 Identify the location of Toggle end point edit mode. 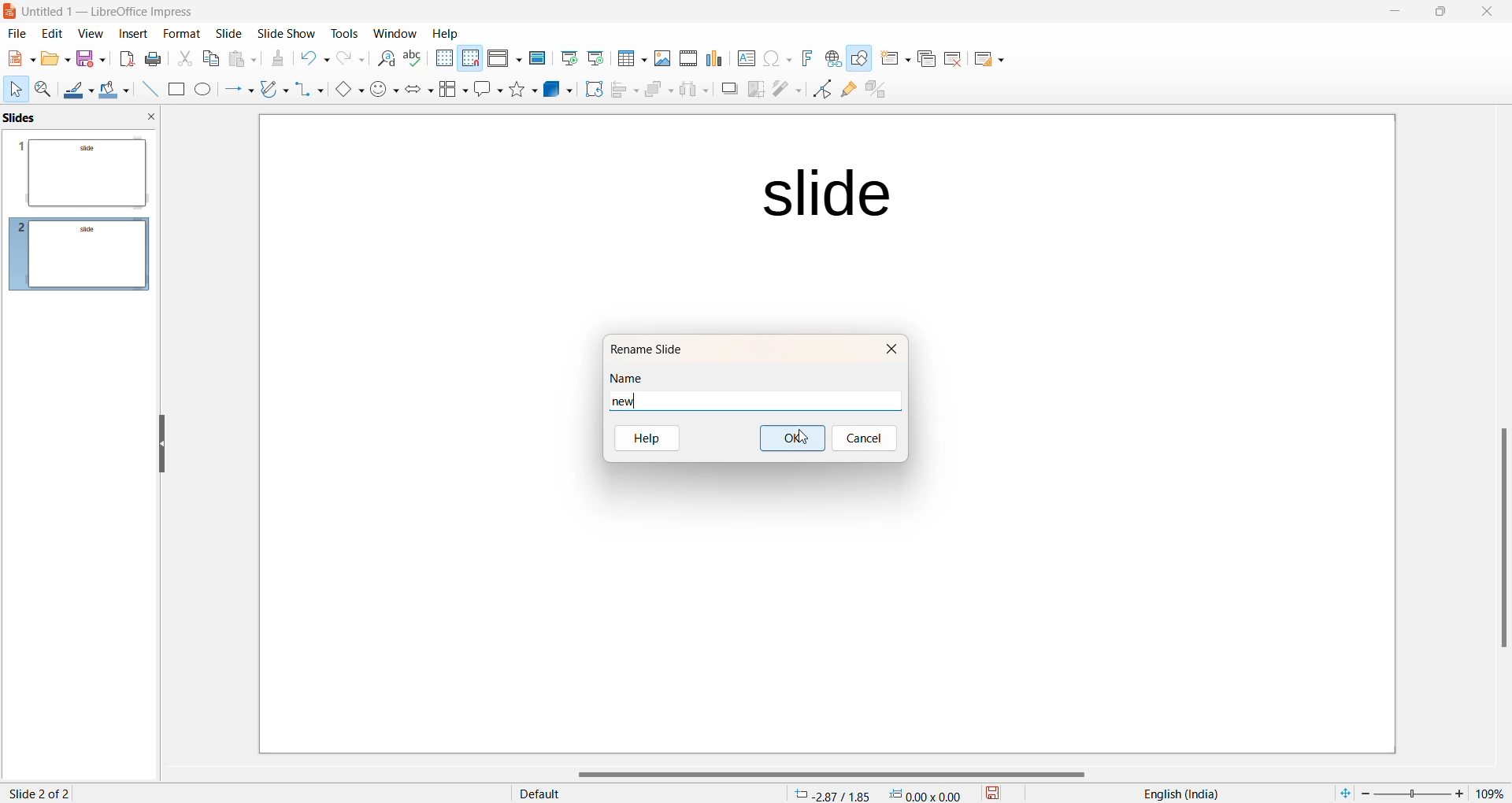
(820, 90).